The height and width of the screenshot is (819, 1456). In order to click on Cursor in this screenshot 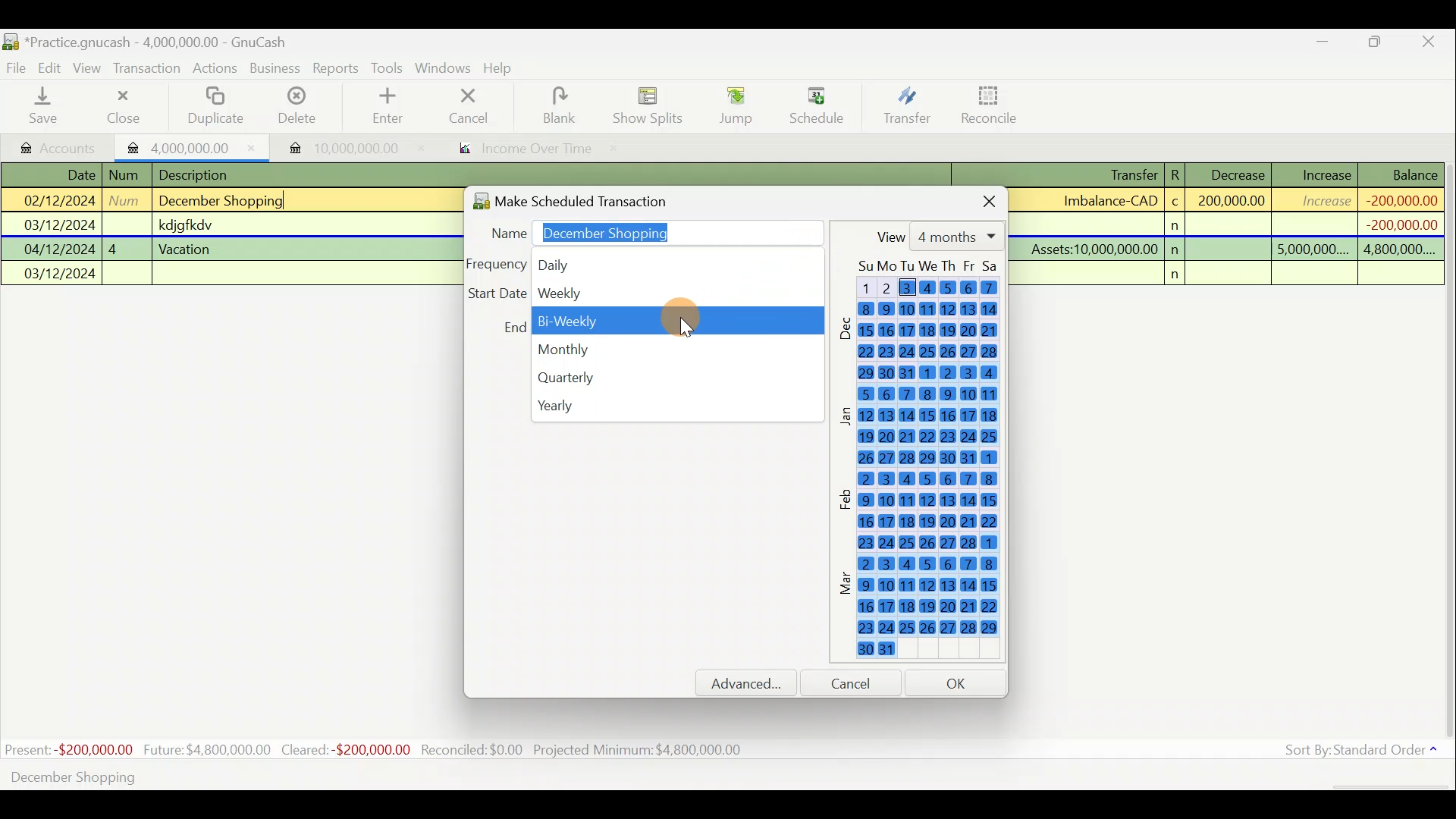, I will do `click(815, 99)`.